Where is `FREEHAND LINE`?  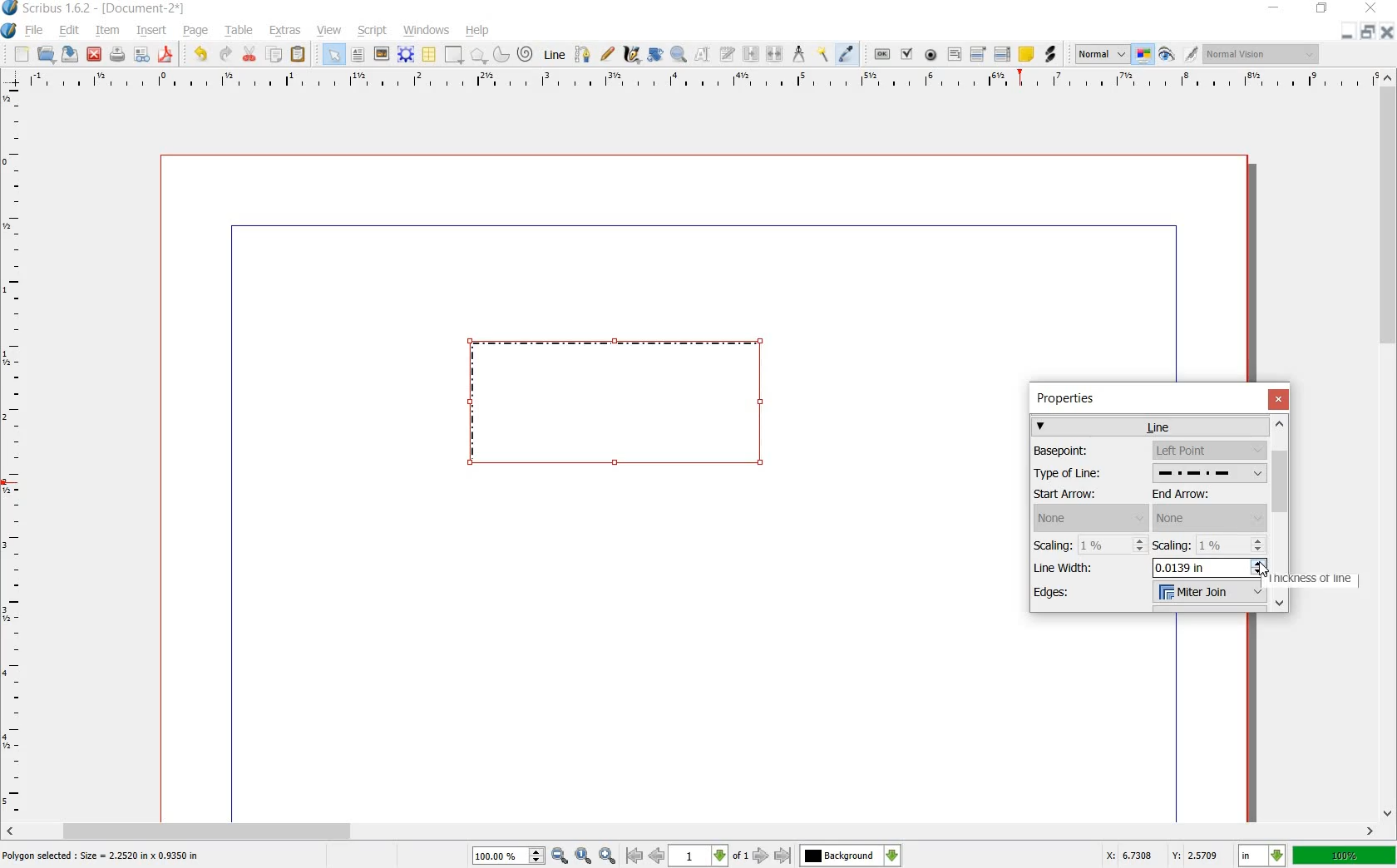
FREEHAND LINE is located at coordinates (608, 55).